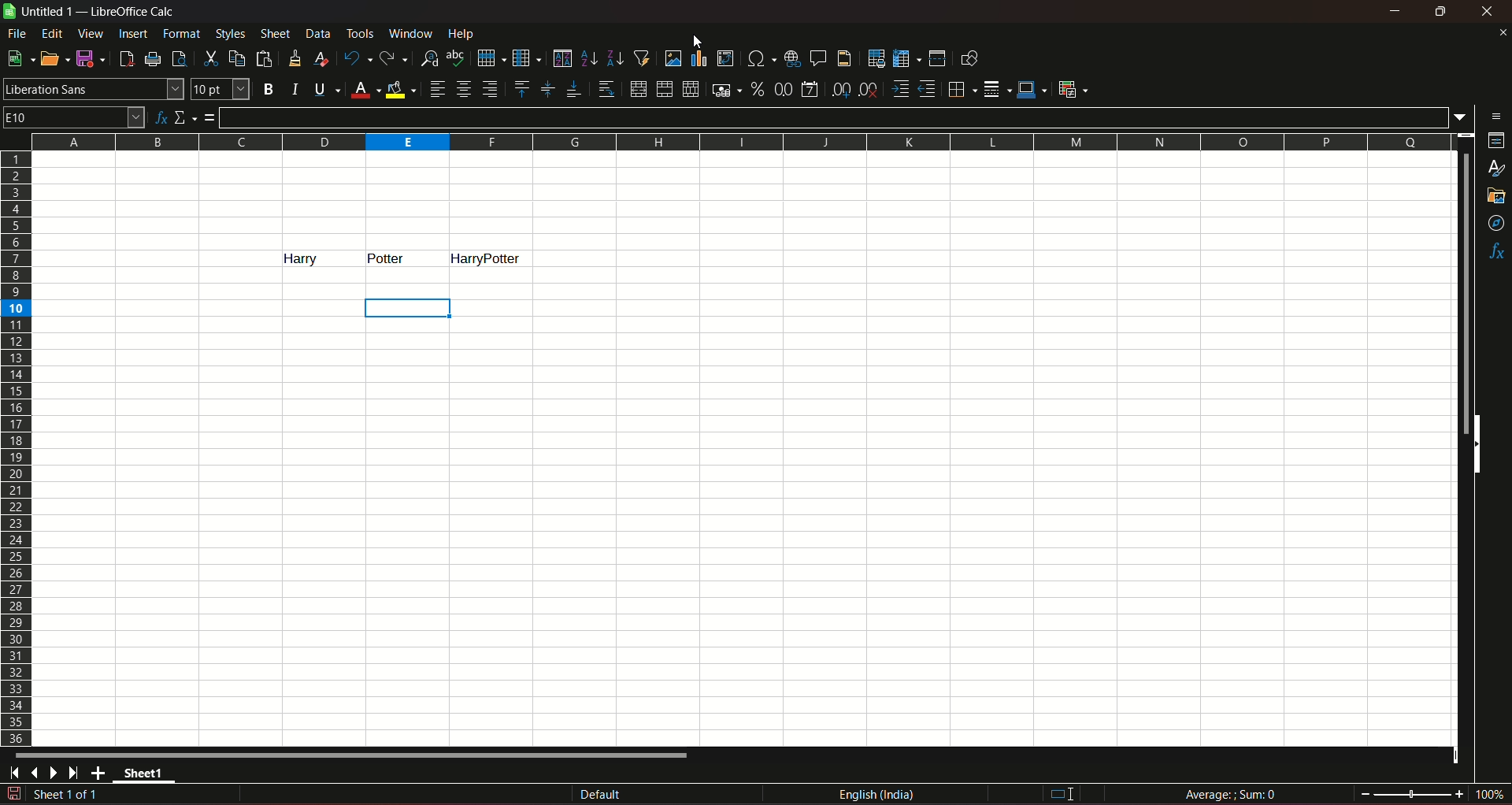  I want to click on scroll to last, so click(78, 773).